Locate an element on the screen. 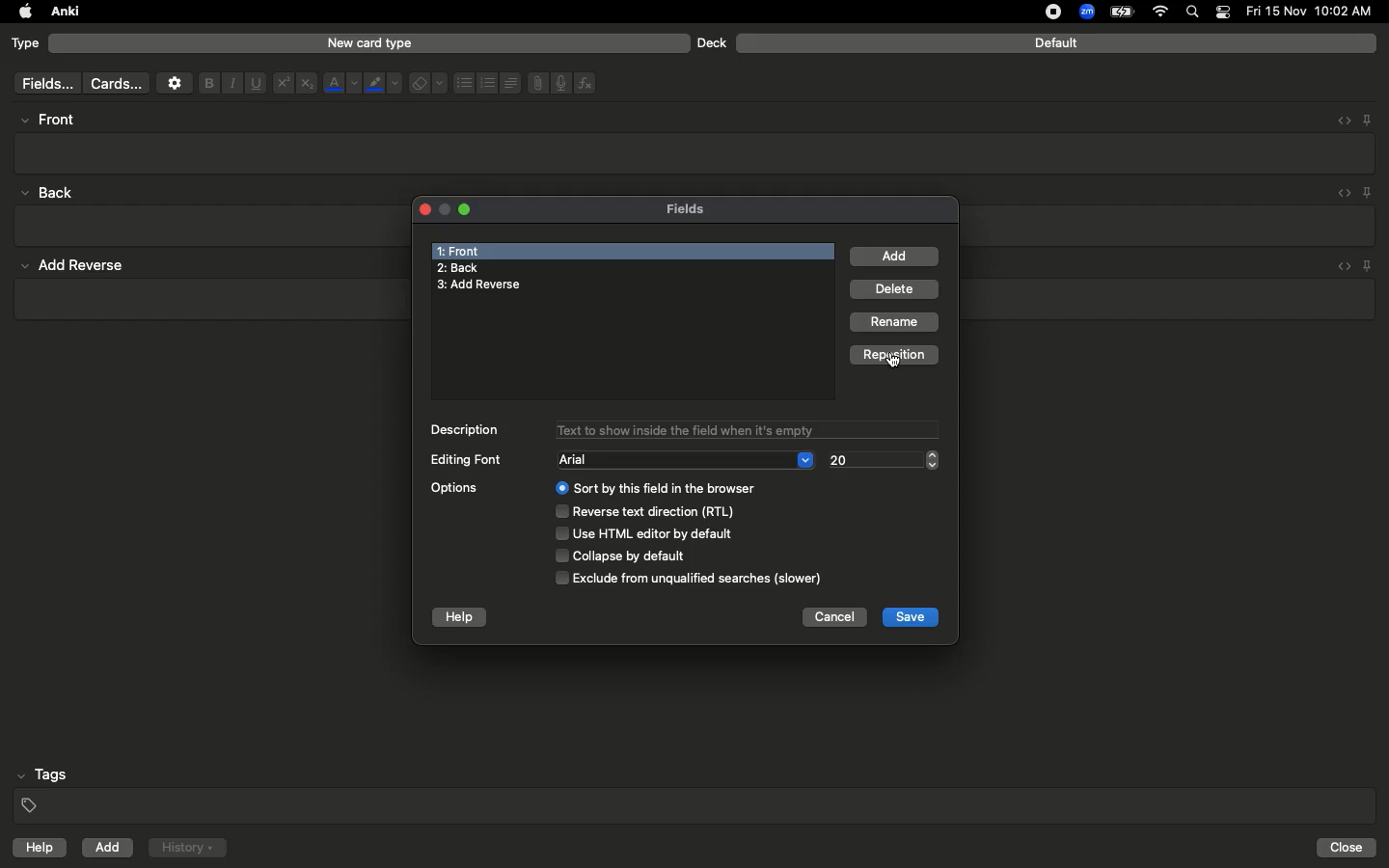  Maximize is located at coordinates (467, 212).